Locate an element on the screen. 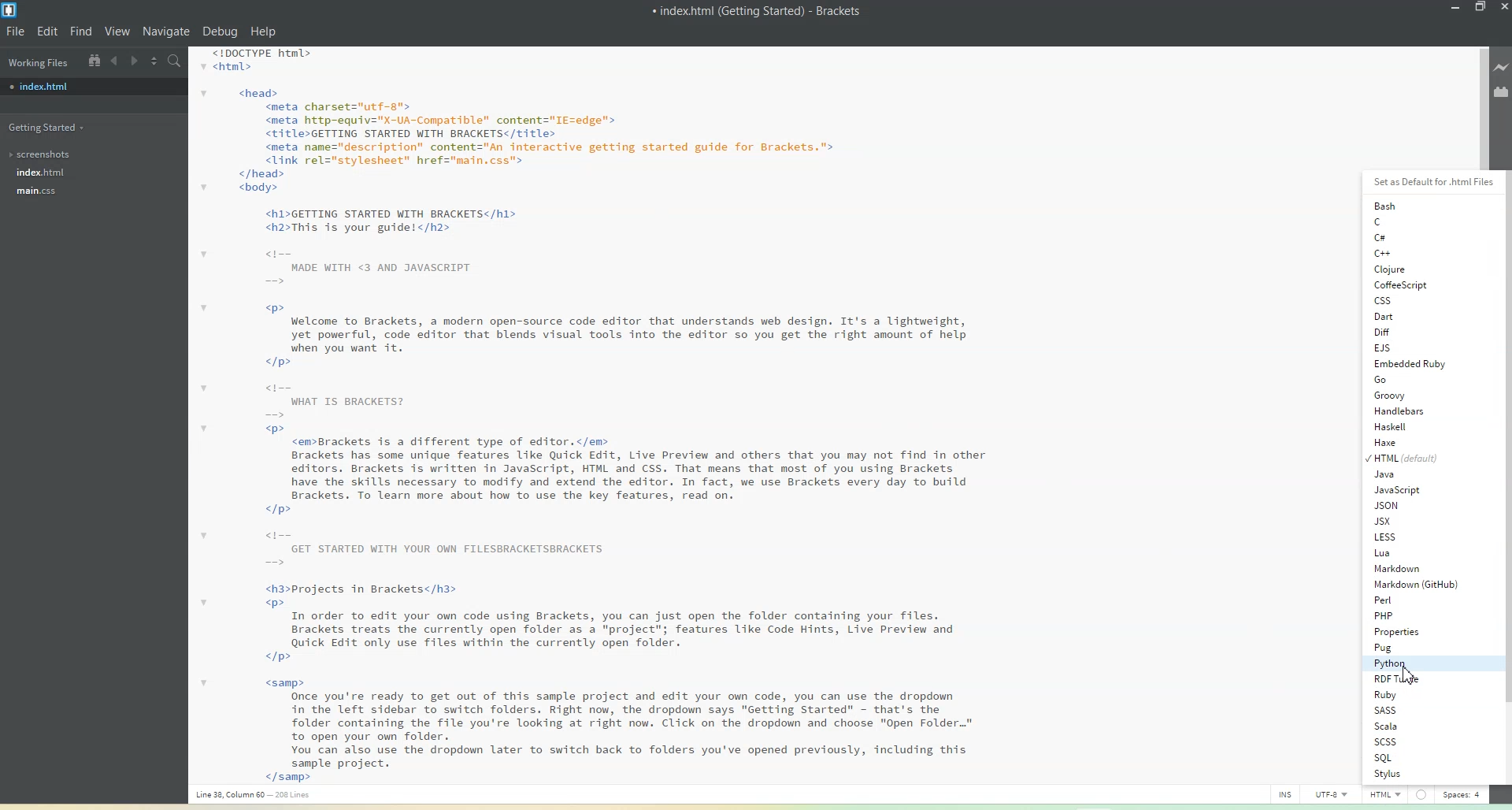 The image size is (1512, 810). Python is located at coordinates (1417, 663).